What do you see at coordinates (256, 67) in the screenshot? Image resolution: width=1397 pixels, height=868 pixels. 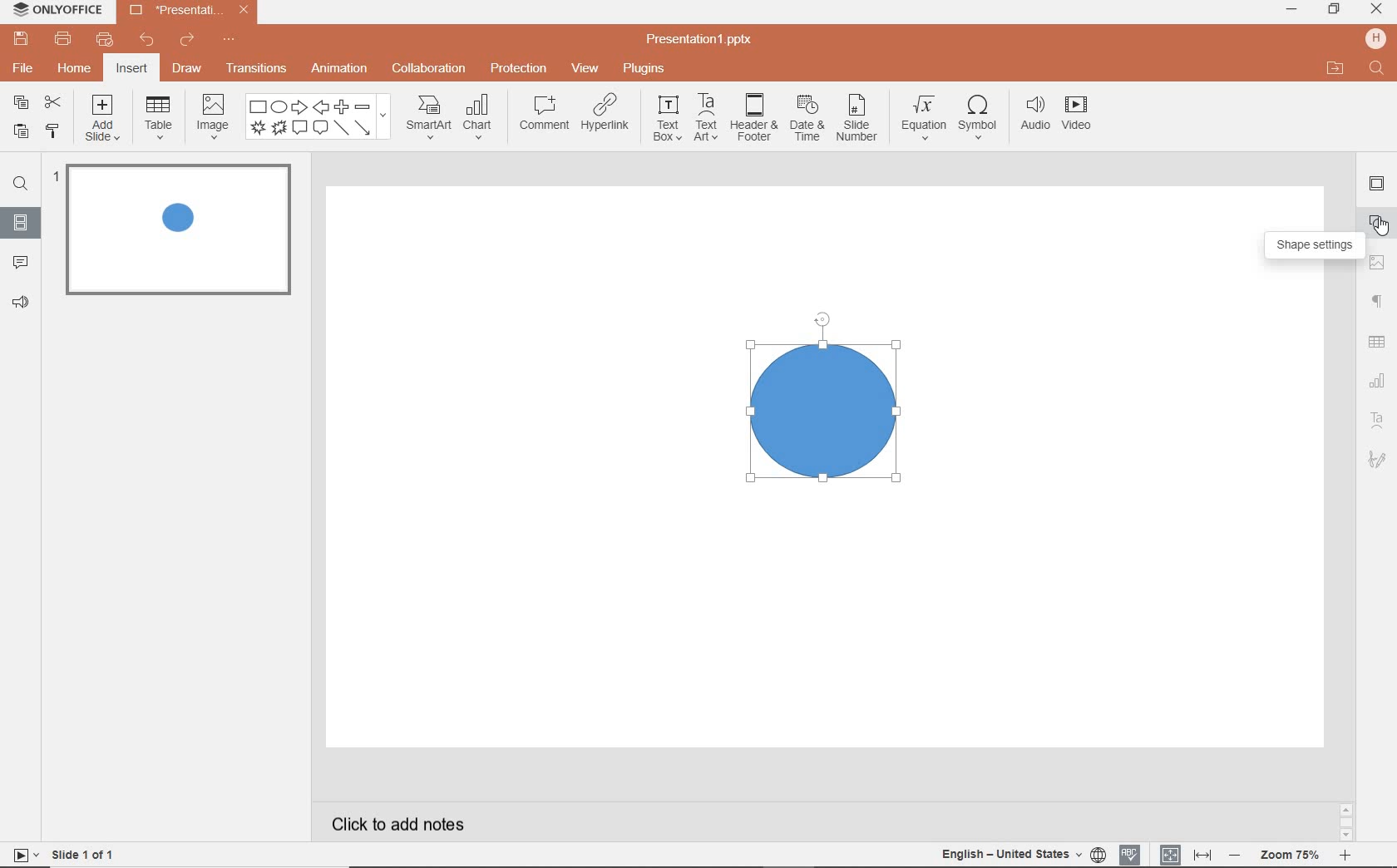 I see `transitions` at bounding box center [256, 67].